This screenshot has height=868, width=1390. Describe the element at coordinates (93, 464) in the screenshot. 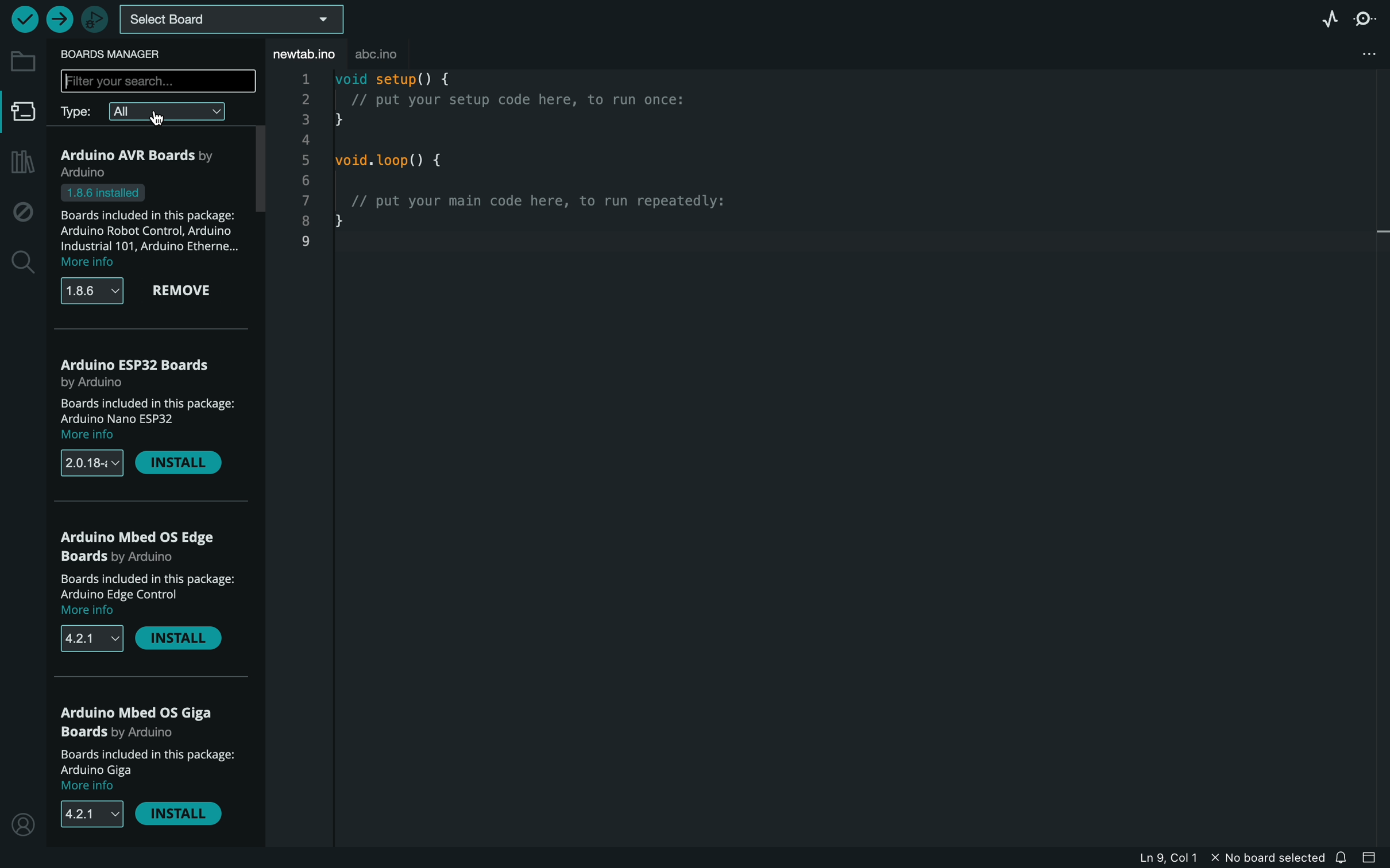

I see `versions` at that location.